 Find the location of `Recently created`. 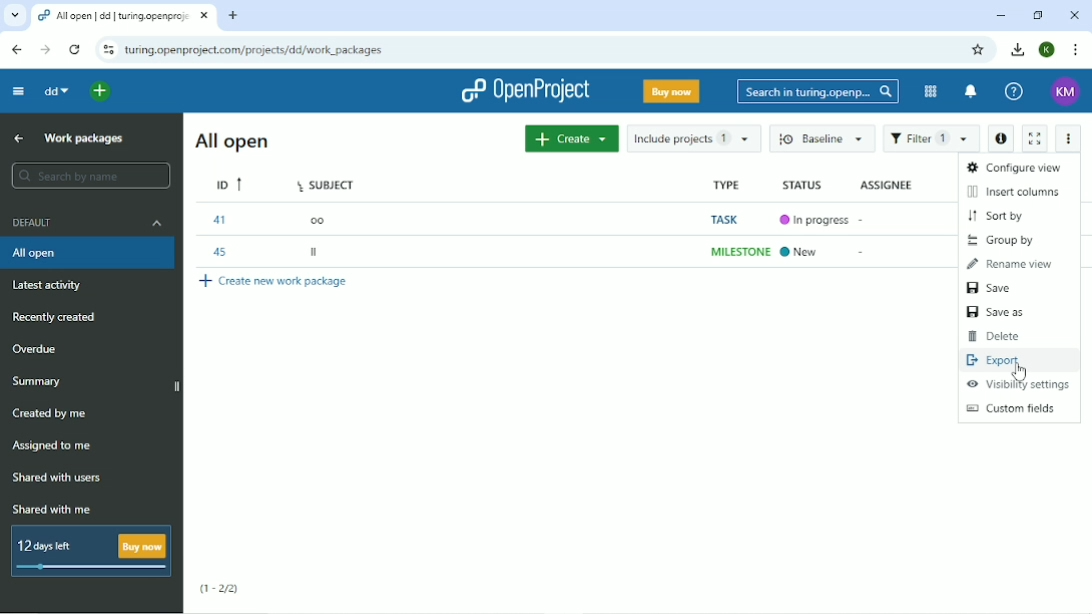

Recently created is located at coordinates (59, 316).